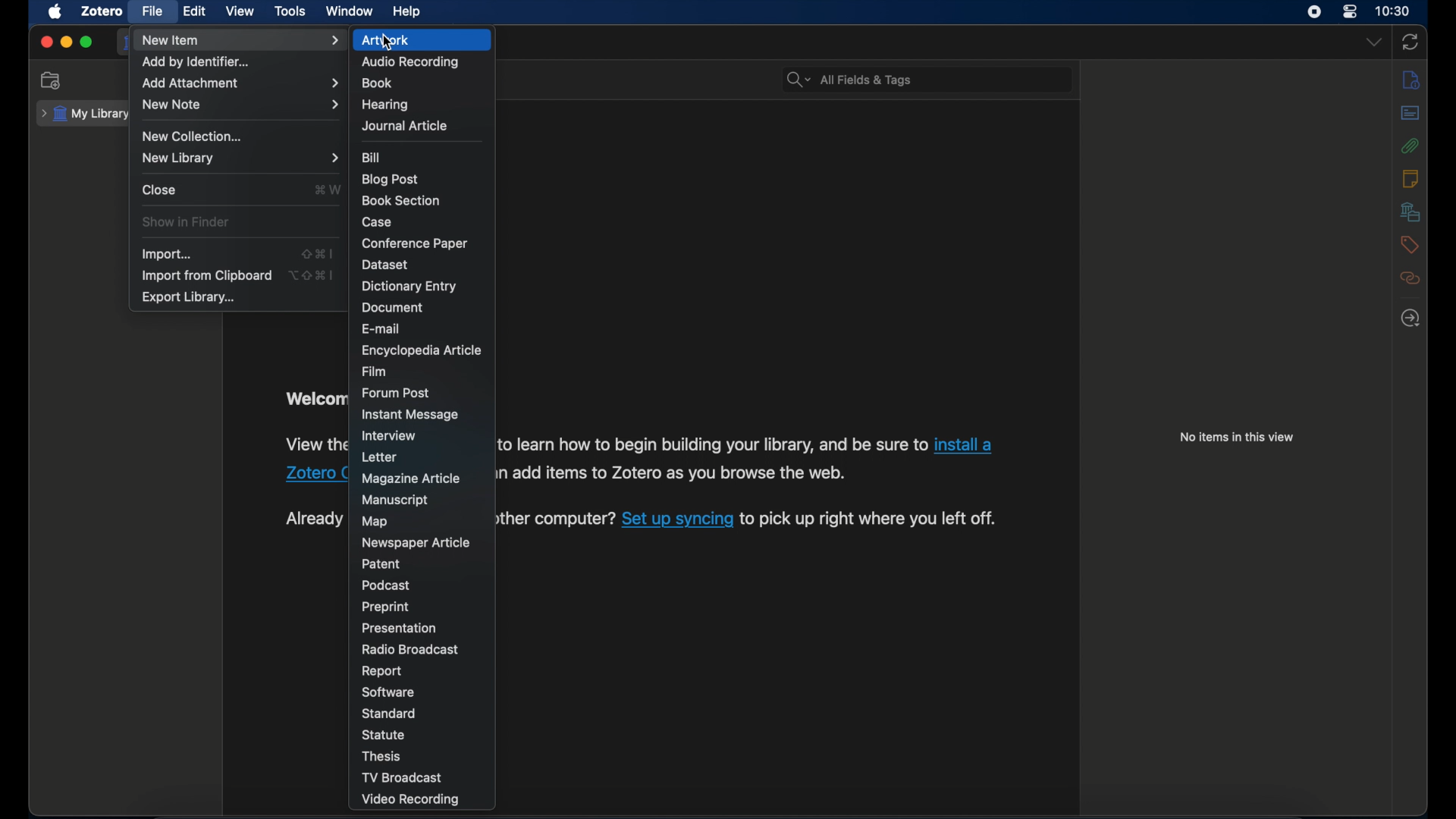 Image resolution: width=1456 pixels, height=819 pixels. Describe the element at coordinates (396, 500) in the screenshot. I see `manuscript` at that location.